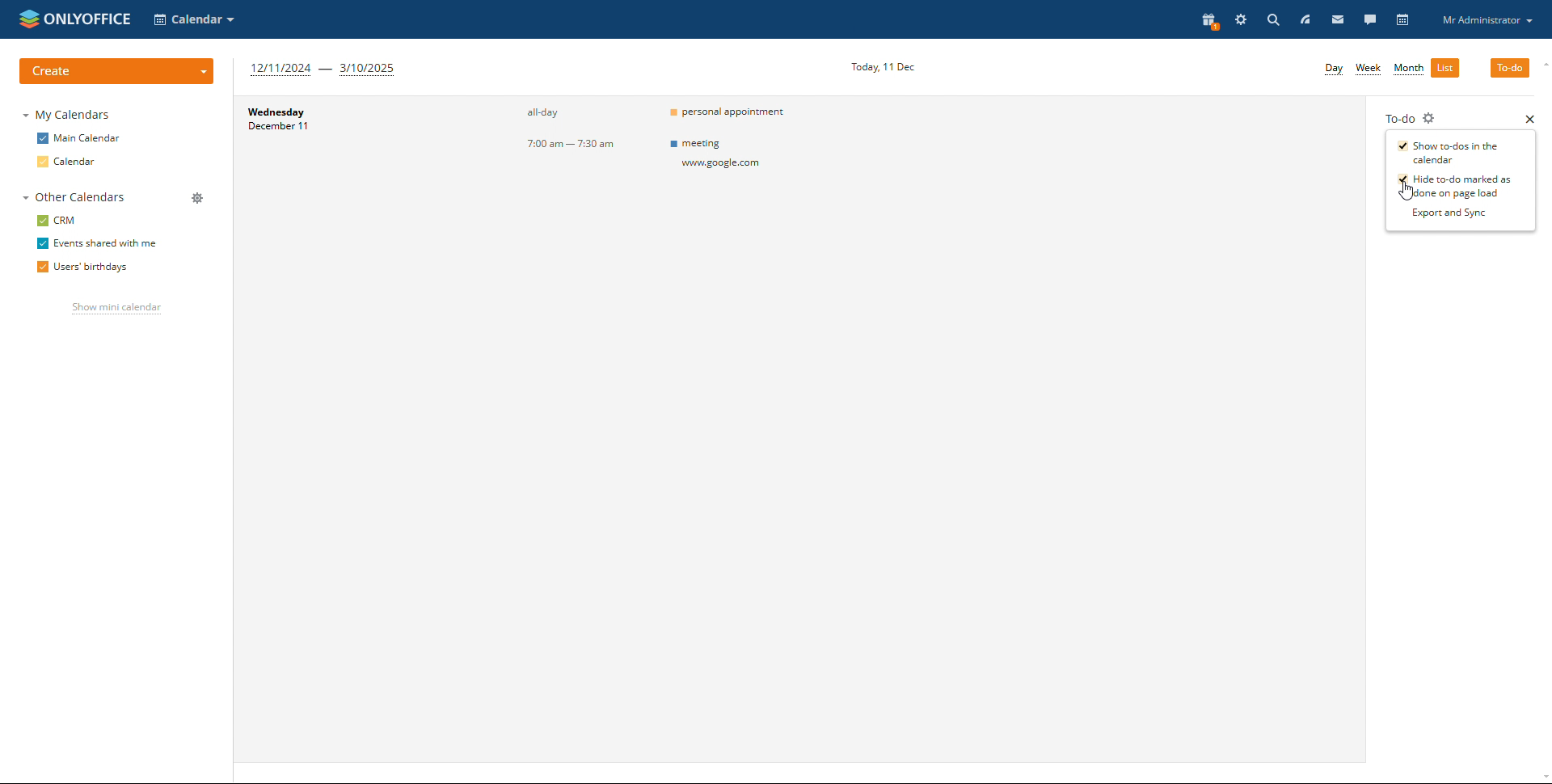 Image resolution: width=1552 pixels, height=784 pixels. I want to click on week view, so click(1369, 70).